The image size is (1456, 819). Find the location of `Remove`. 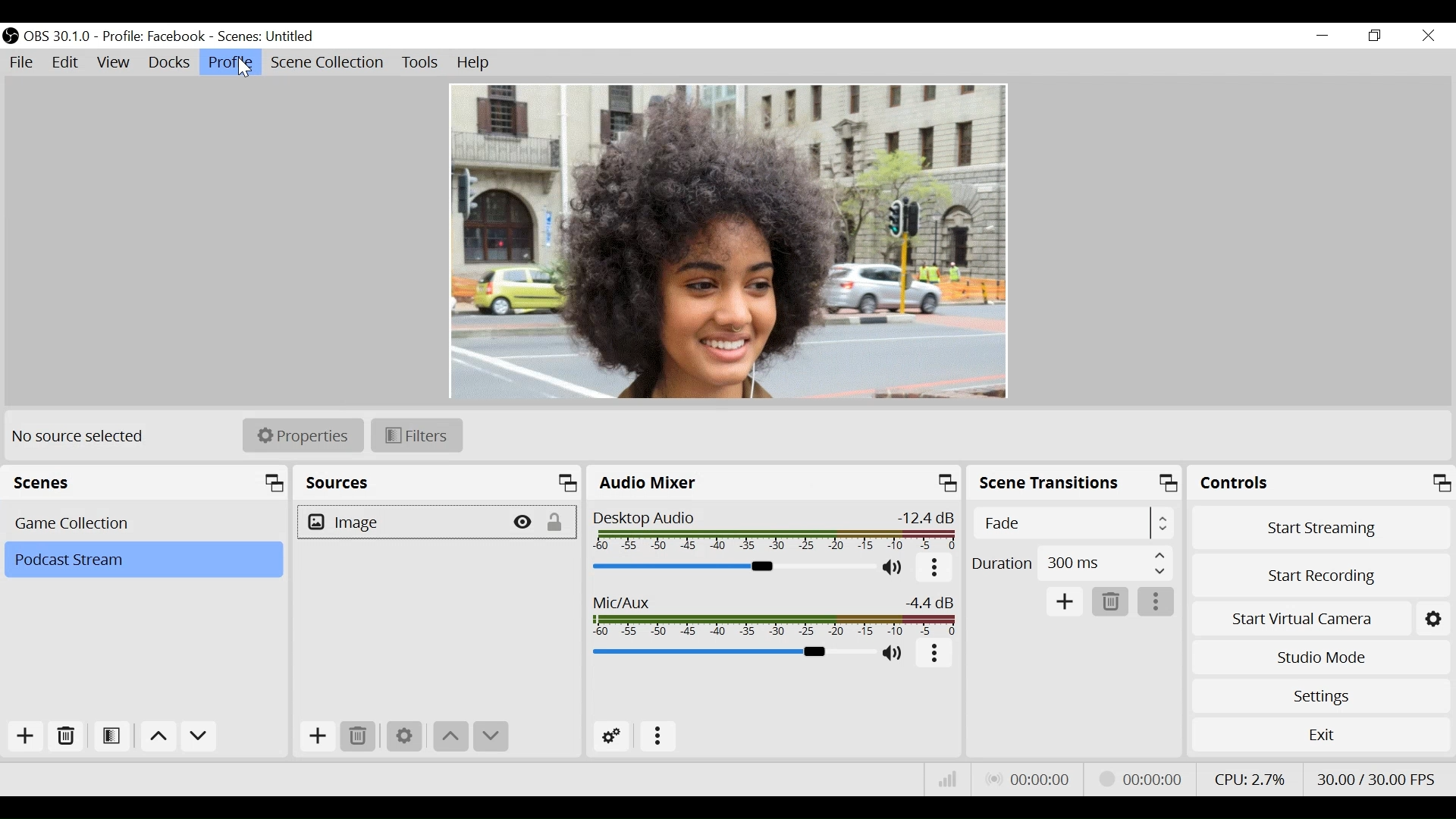

Remove is located at coordinates (67, 735).